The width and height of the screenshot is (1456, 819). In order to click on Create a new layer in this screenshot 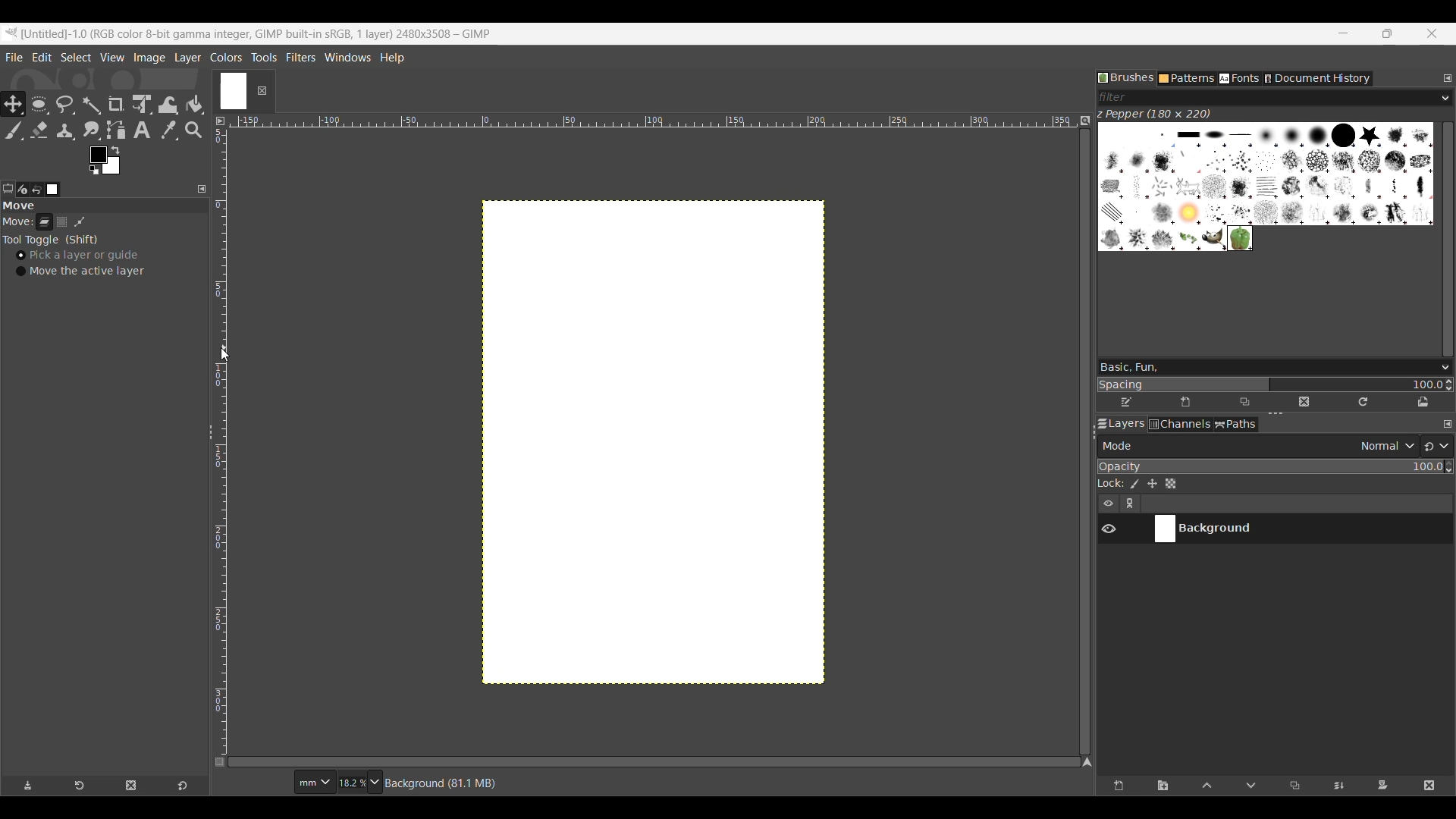, I will do `click(1118, 786)`.